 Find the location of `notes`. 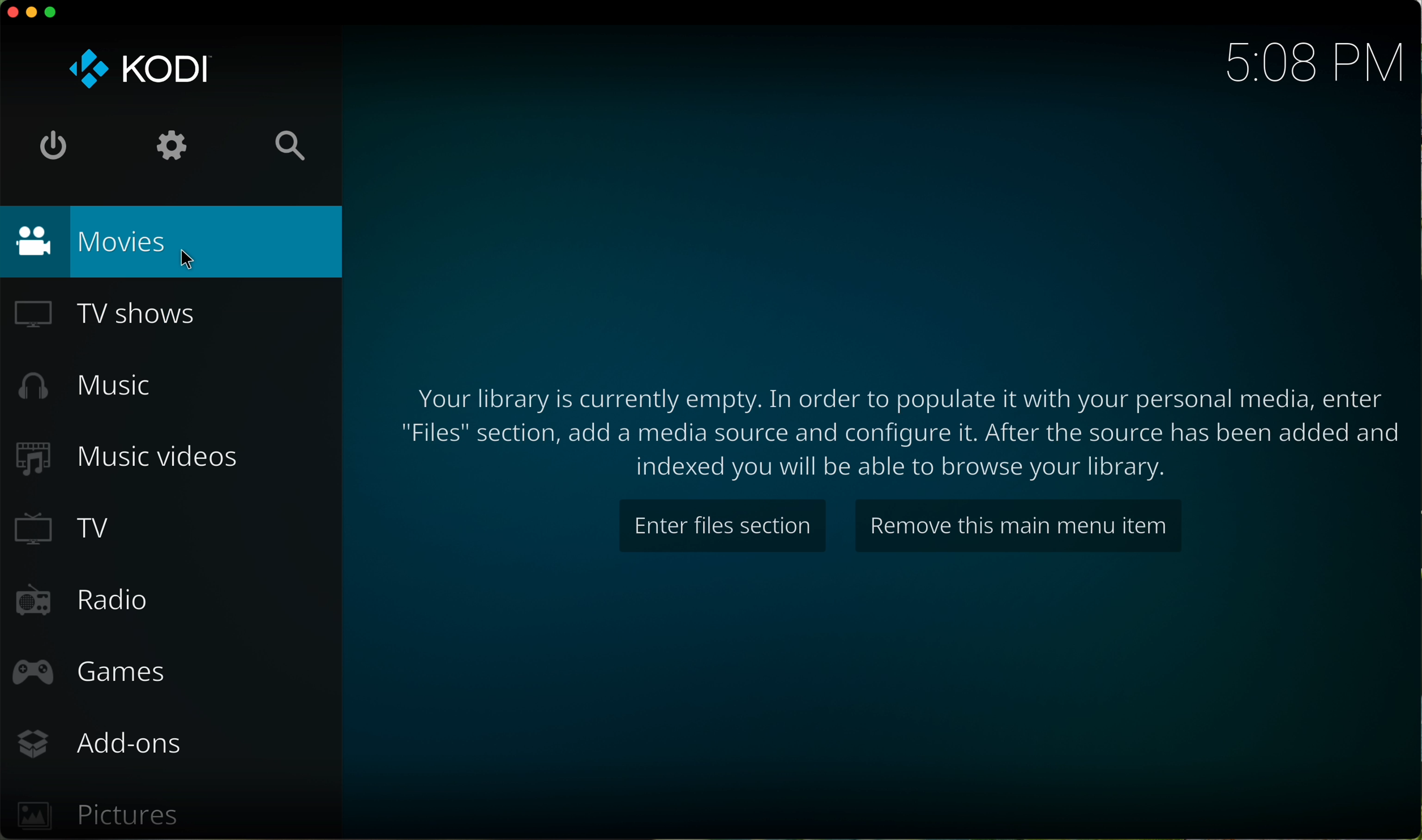

notes is located at coordinates (904, 428).